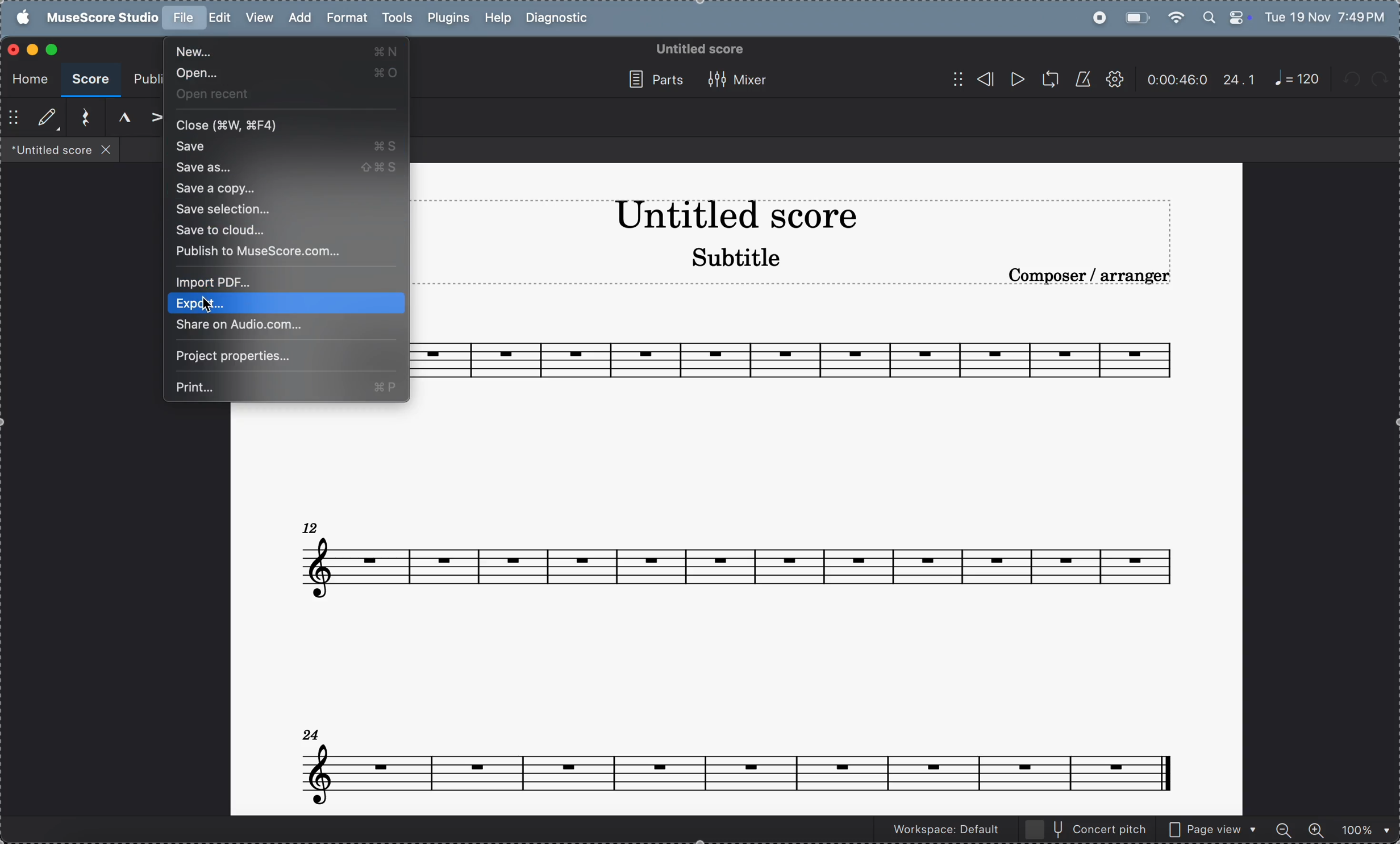 This screenshot has width=1400, height=844. What do you see at coordinates (1016, 81) in the screenshot?
I see `play` at bounding box center [1016, 81].